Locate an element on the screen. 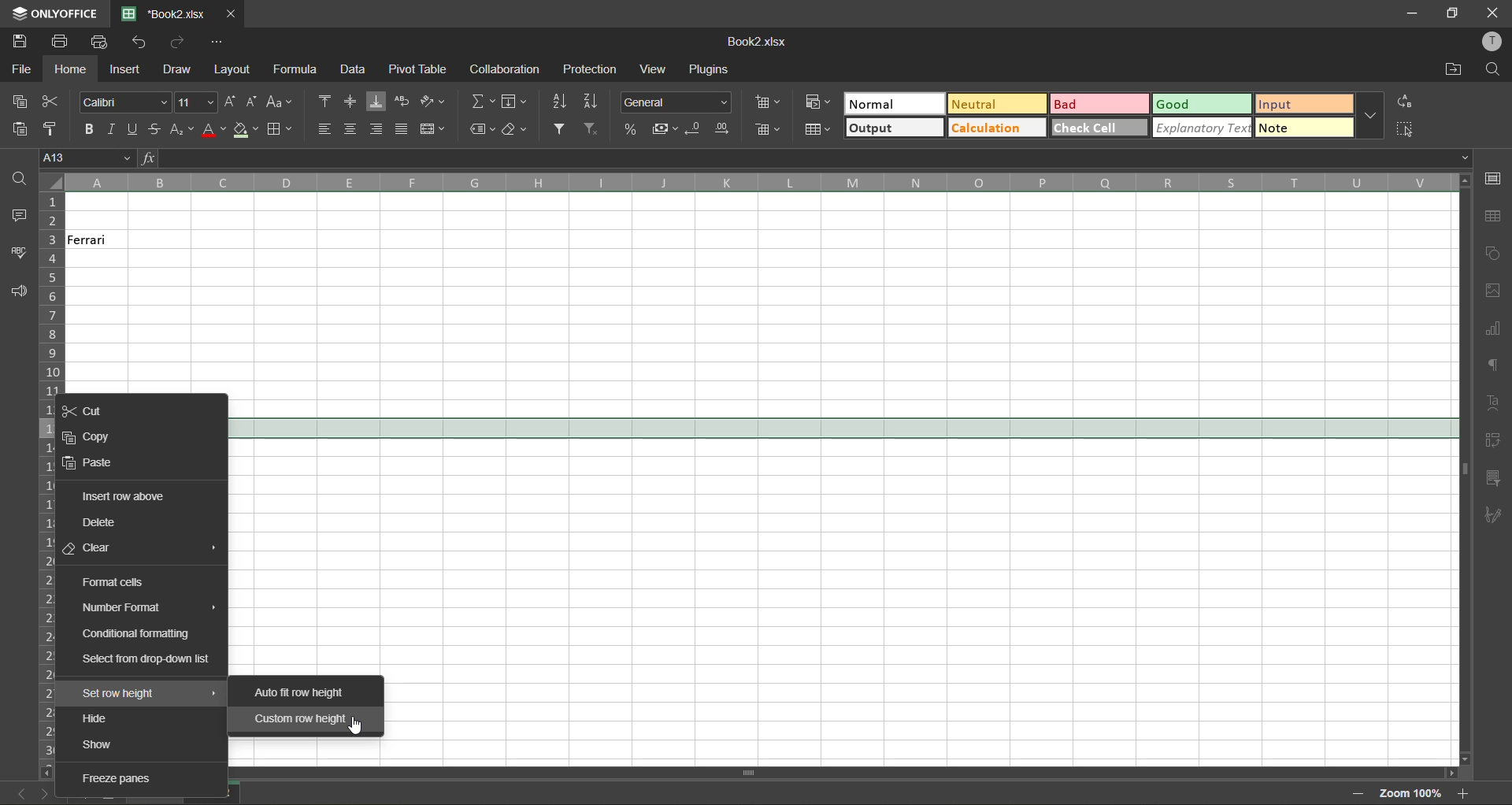 This screenshot has height=805, width=1512. named ranges is located at coordinates (484, 128).